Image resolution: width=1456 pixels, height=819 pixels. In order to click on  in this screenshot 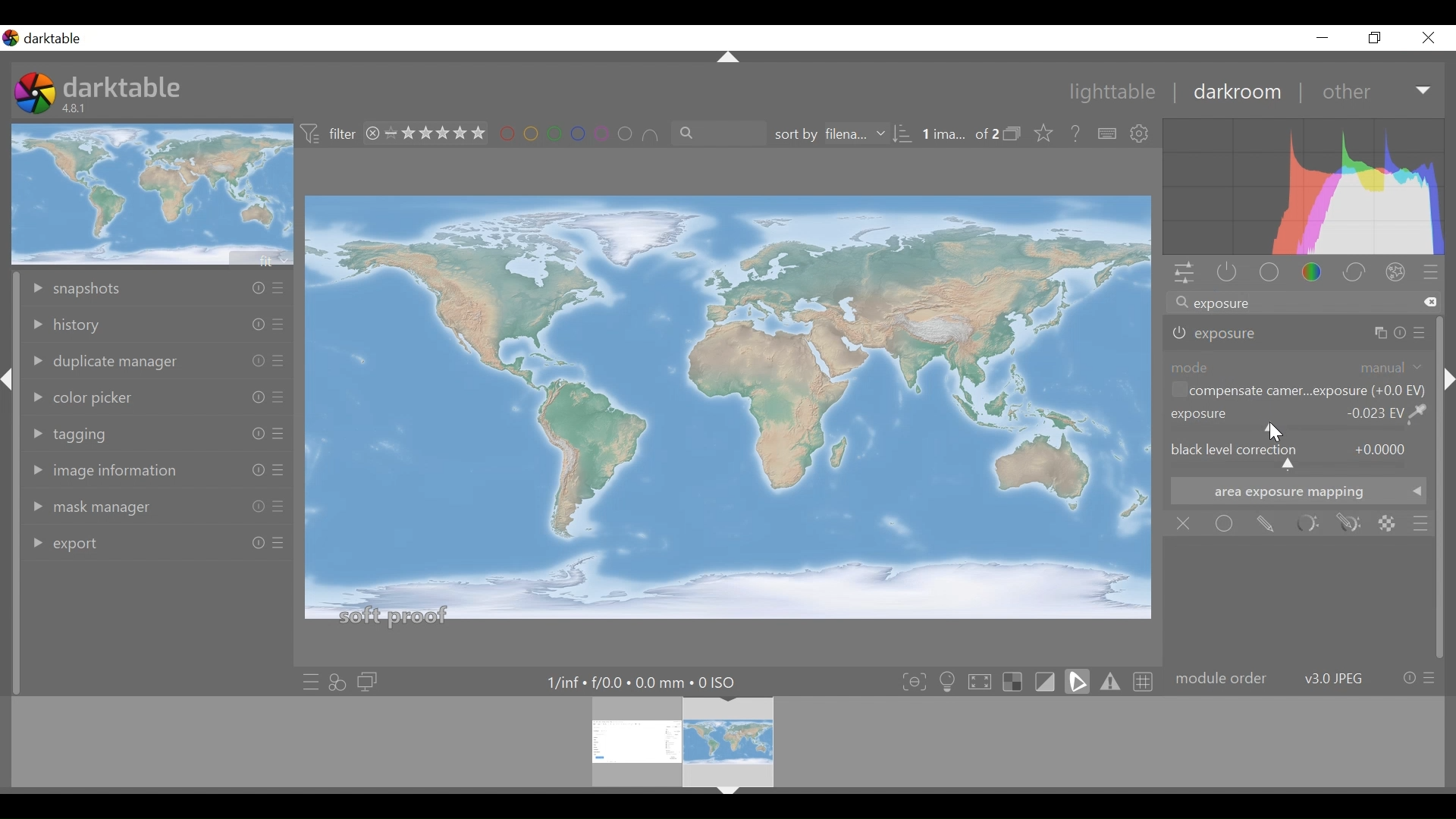, I will do `click(1322, 37)`.